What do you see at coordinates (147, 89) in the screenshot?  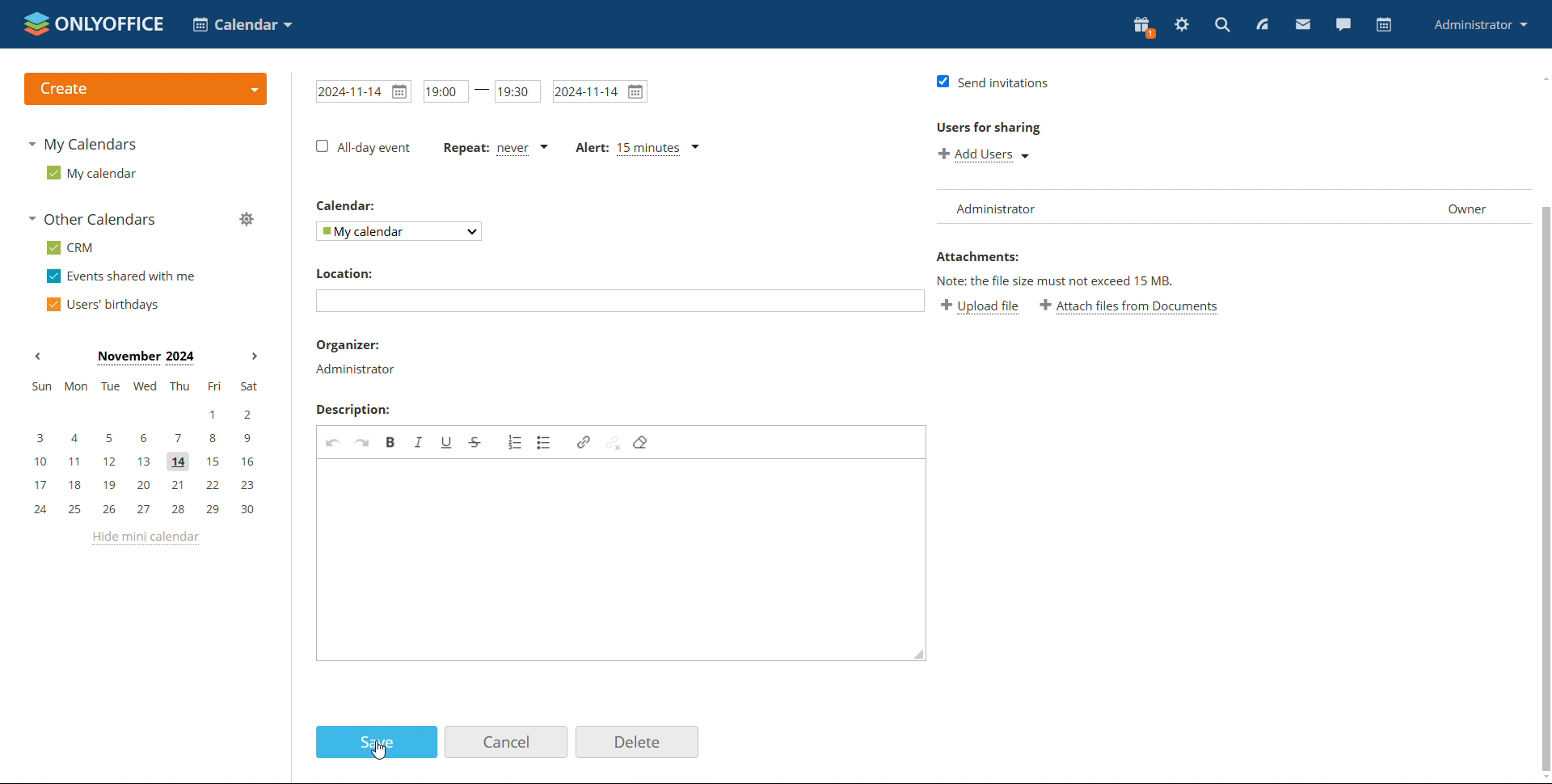 I see `logo` at bounding box center [147, 89].